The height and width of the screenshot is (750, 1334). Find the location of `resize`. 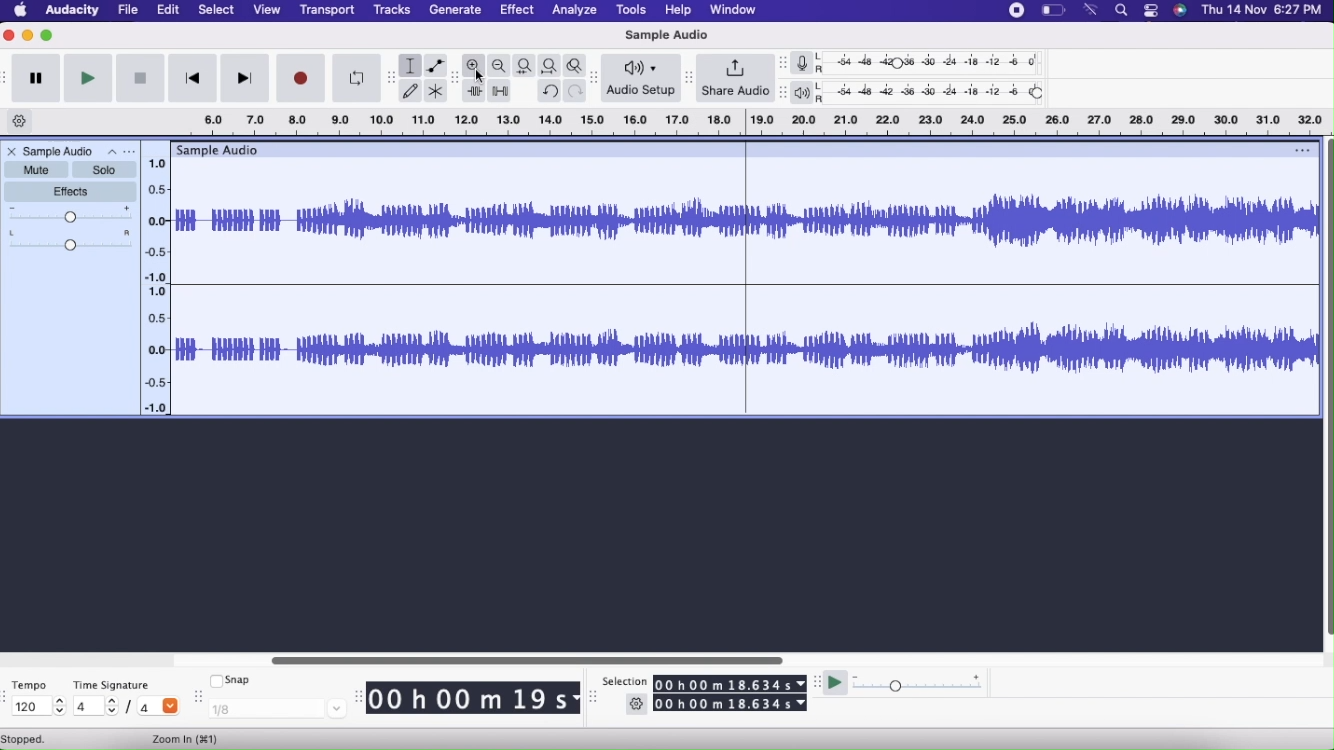

resize is located at coordinates (781, 91).